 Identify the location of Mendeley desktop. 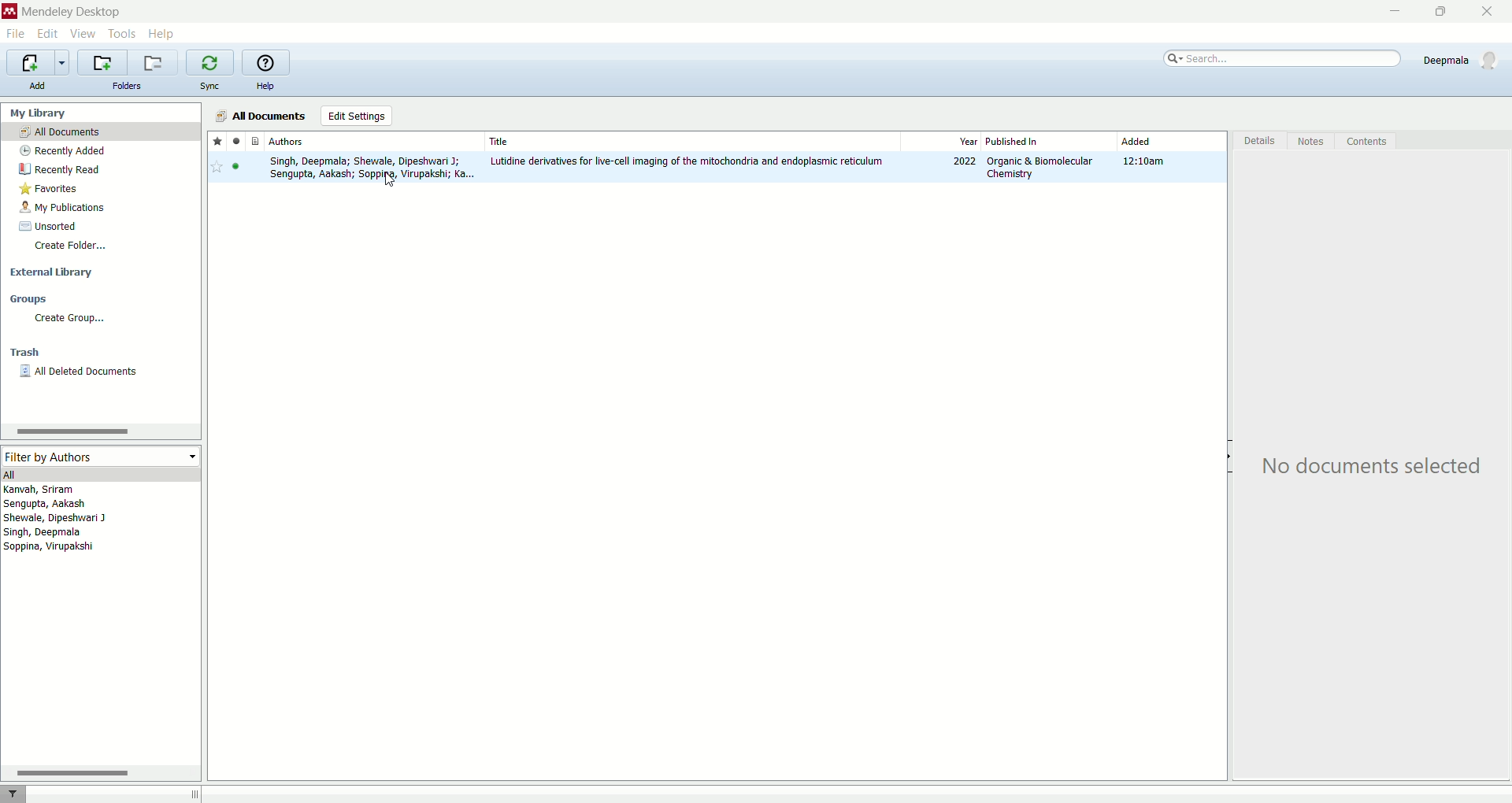
(73, 13).